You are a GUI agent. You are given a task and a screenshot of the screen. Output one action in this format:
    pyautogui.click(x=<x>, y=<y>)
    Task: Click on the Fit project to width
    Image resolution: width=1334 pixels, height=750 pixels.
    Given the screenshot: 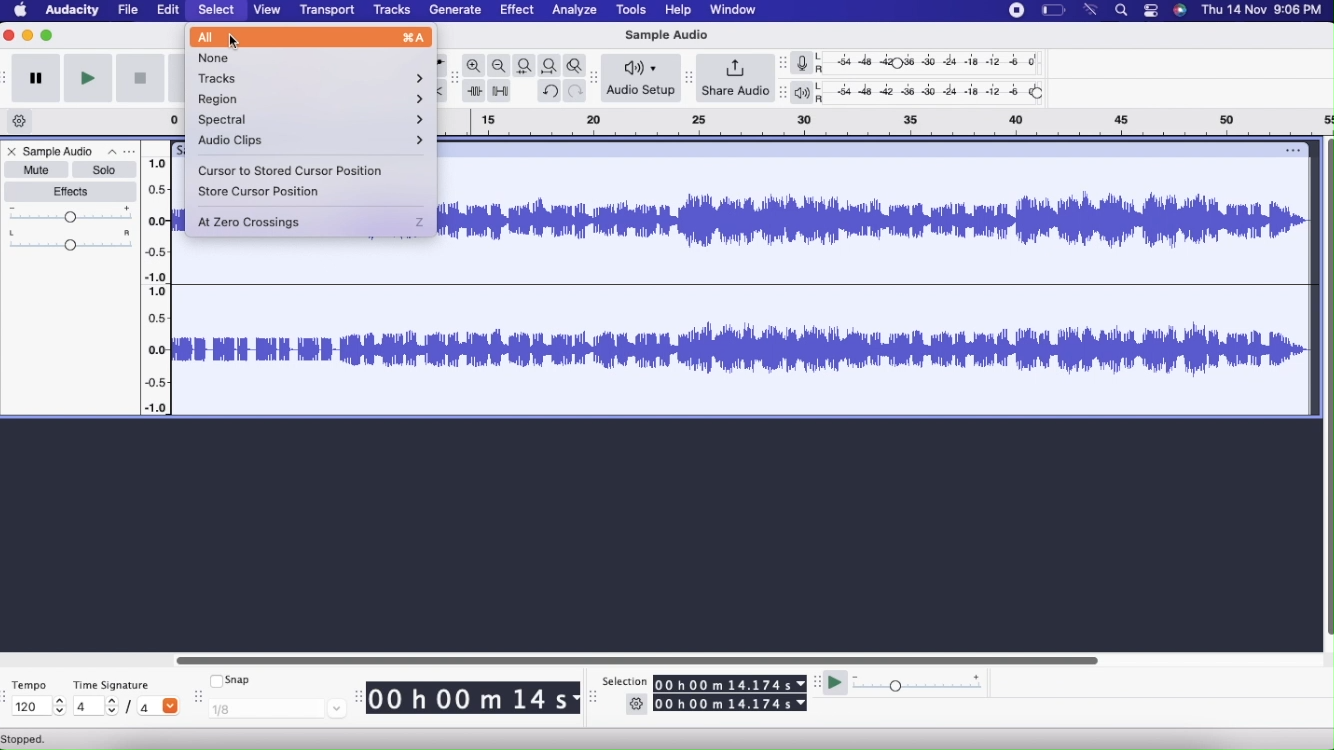 What is the action you would take?
    pyautogui.click(x=550, y=66)
    